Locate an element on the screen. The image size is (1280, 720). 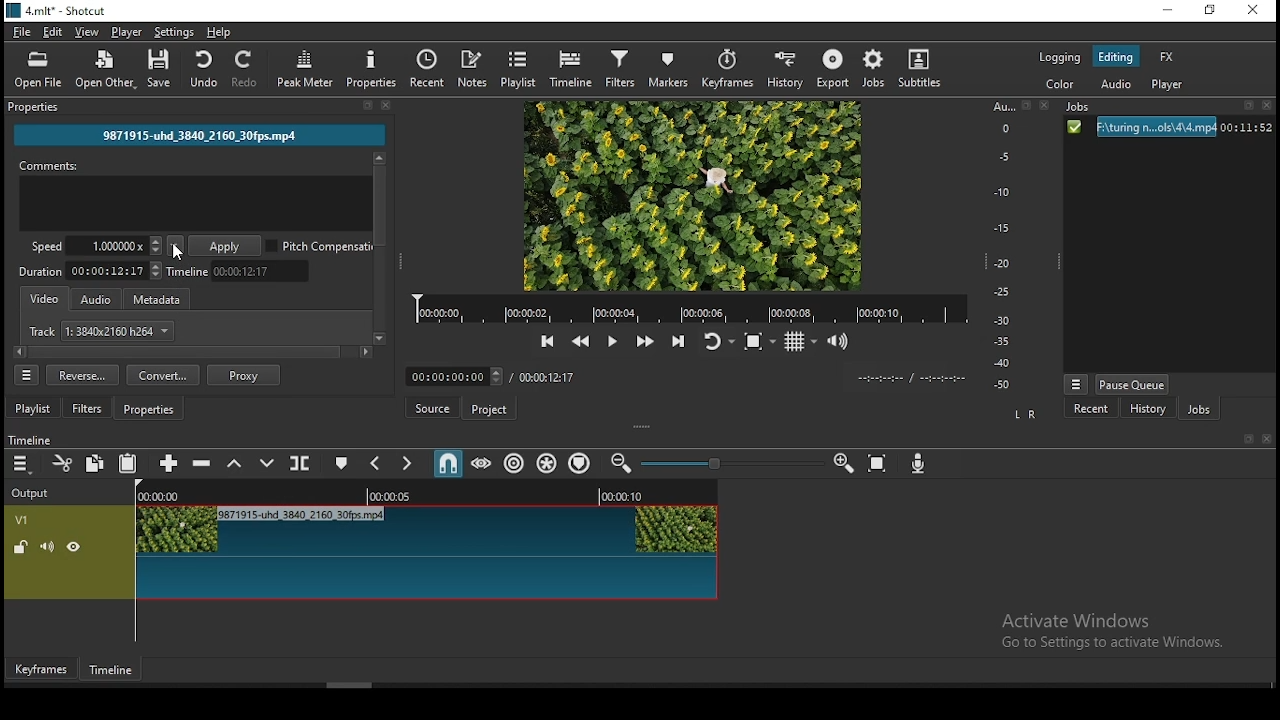
playback speed presets is located at coordinates (175, 246).